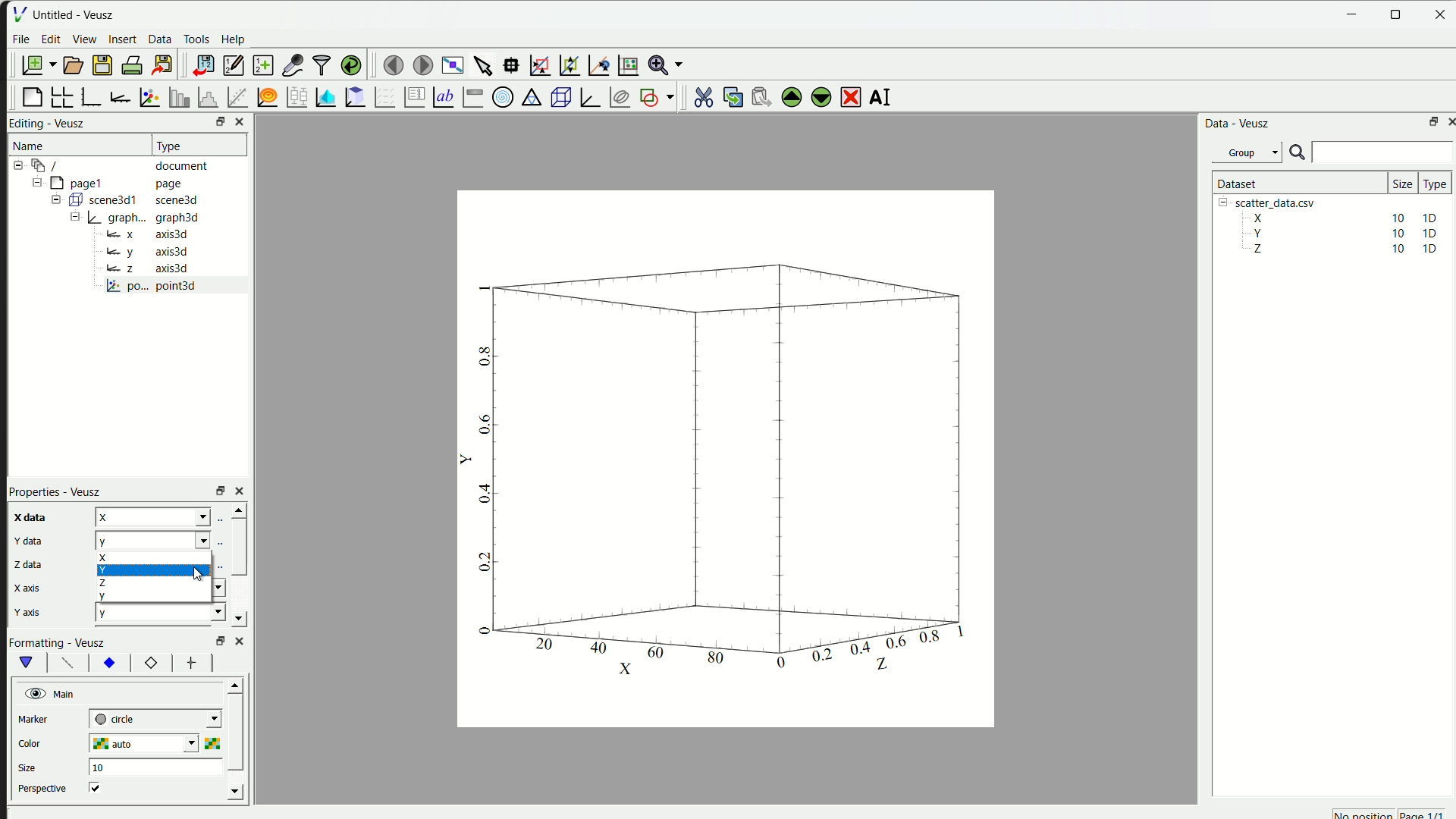 This screenshot has height=819, width=1456. I want to click on y data, so click(21, 539).